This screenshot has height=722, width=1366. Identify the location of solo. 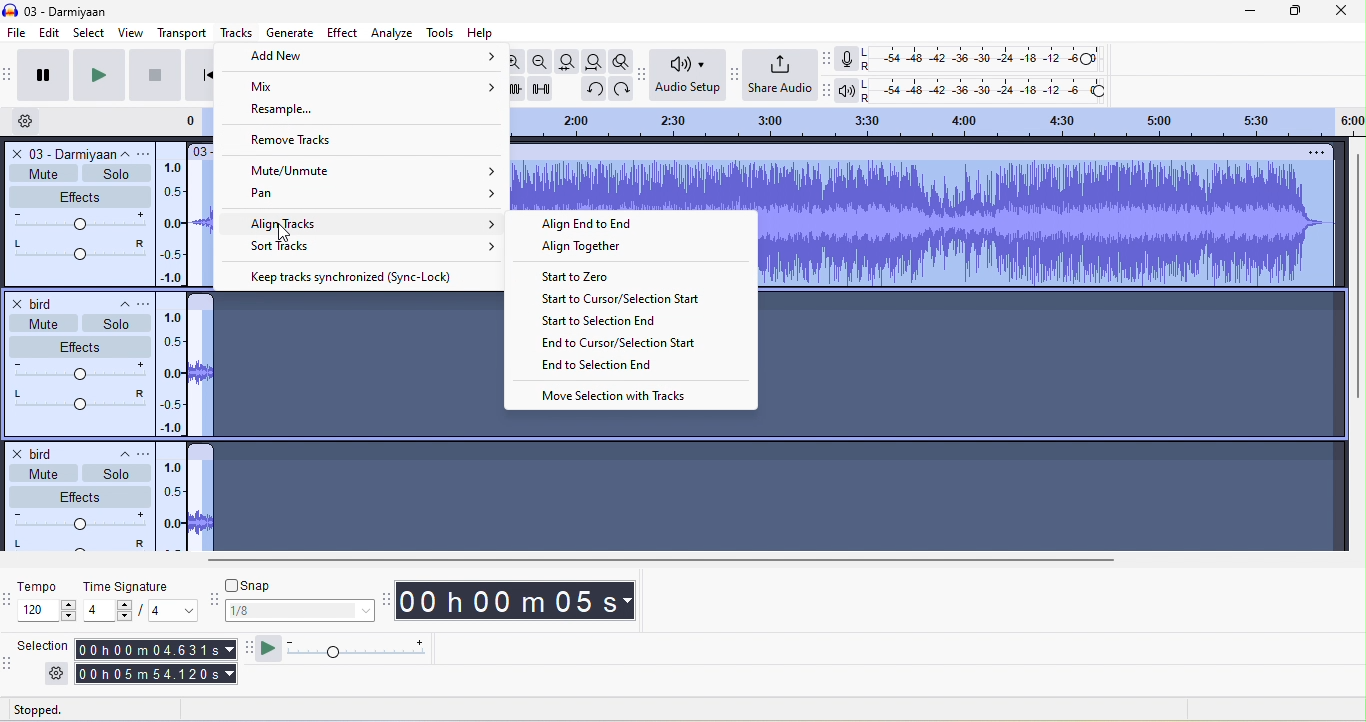
(117, 475).